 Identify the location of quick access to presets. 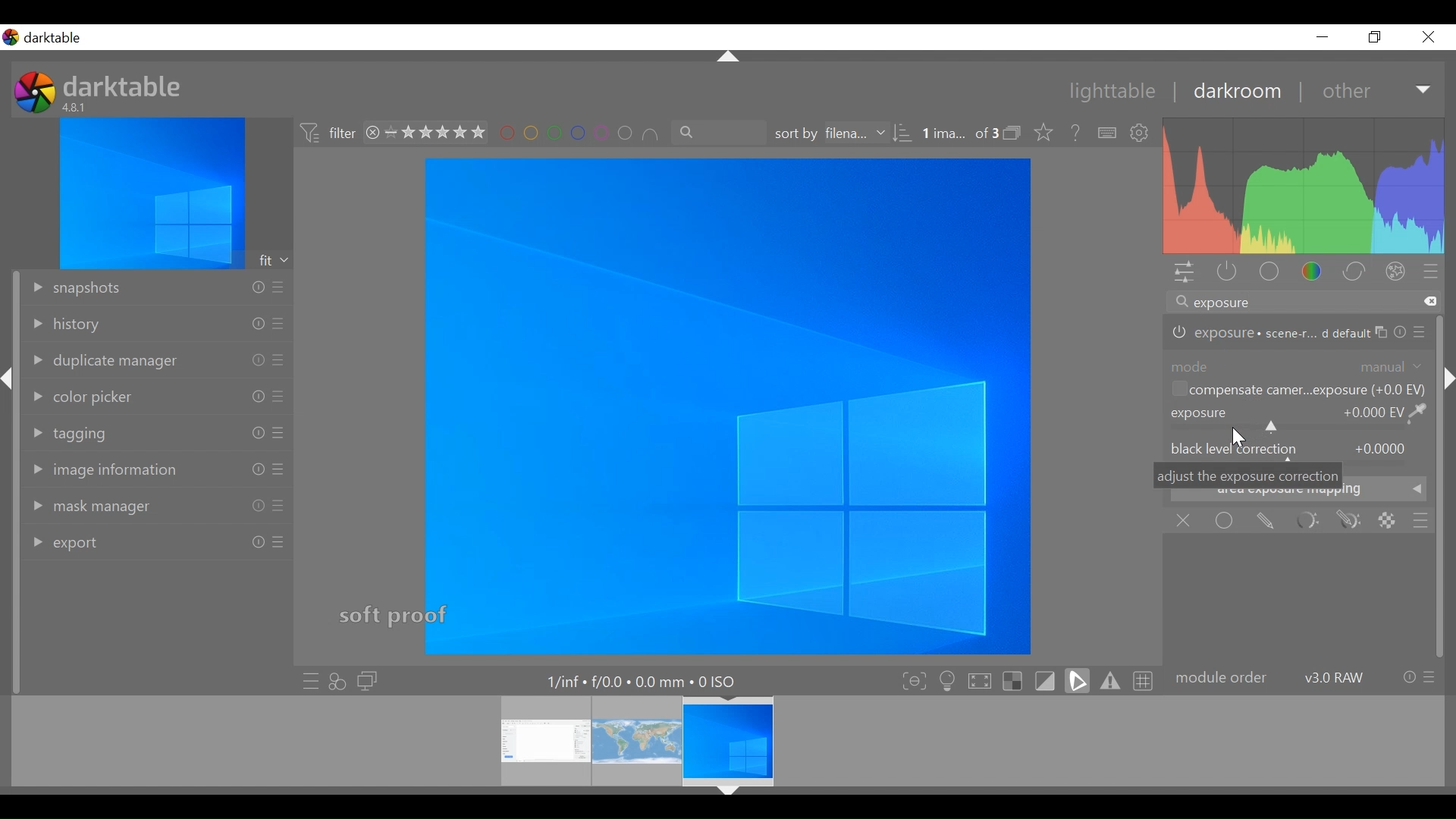
(306, 680).